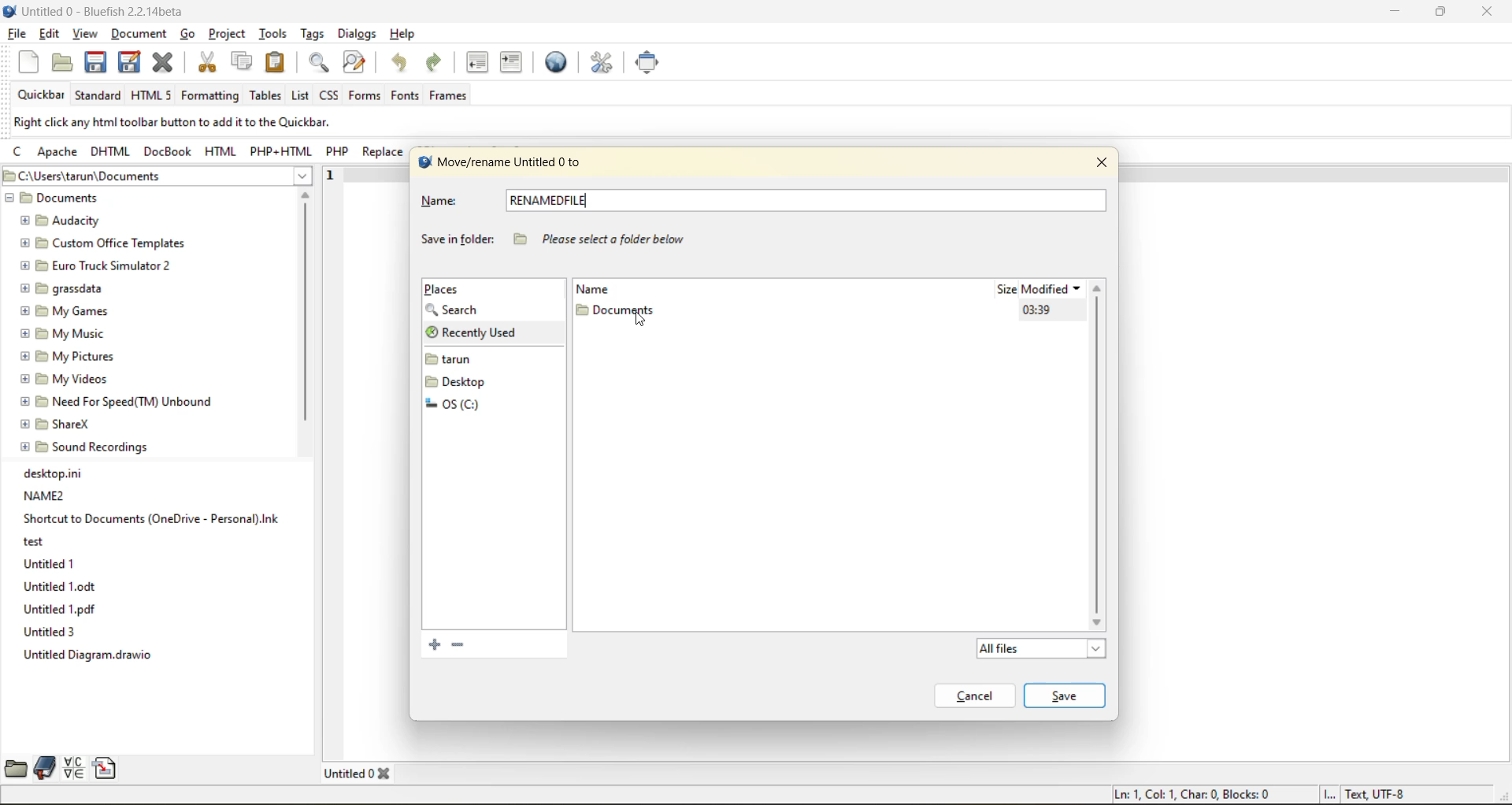 The height and width of the screenshot is (805, 1512). Describe the element at coordinates (63, 220) in the screenshot. I see `Audacity` at that location.